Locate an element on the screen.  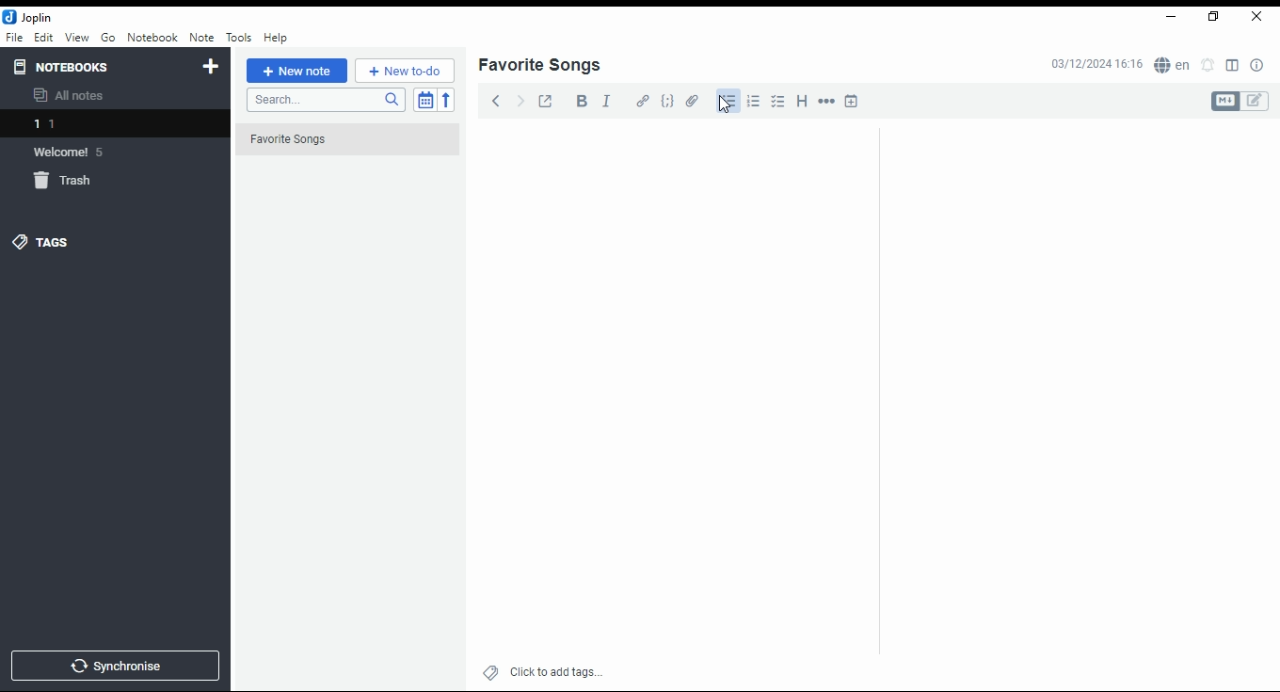
attach file is located at coordinates (693, 100).